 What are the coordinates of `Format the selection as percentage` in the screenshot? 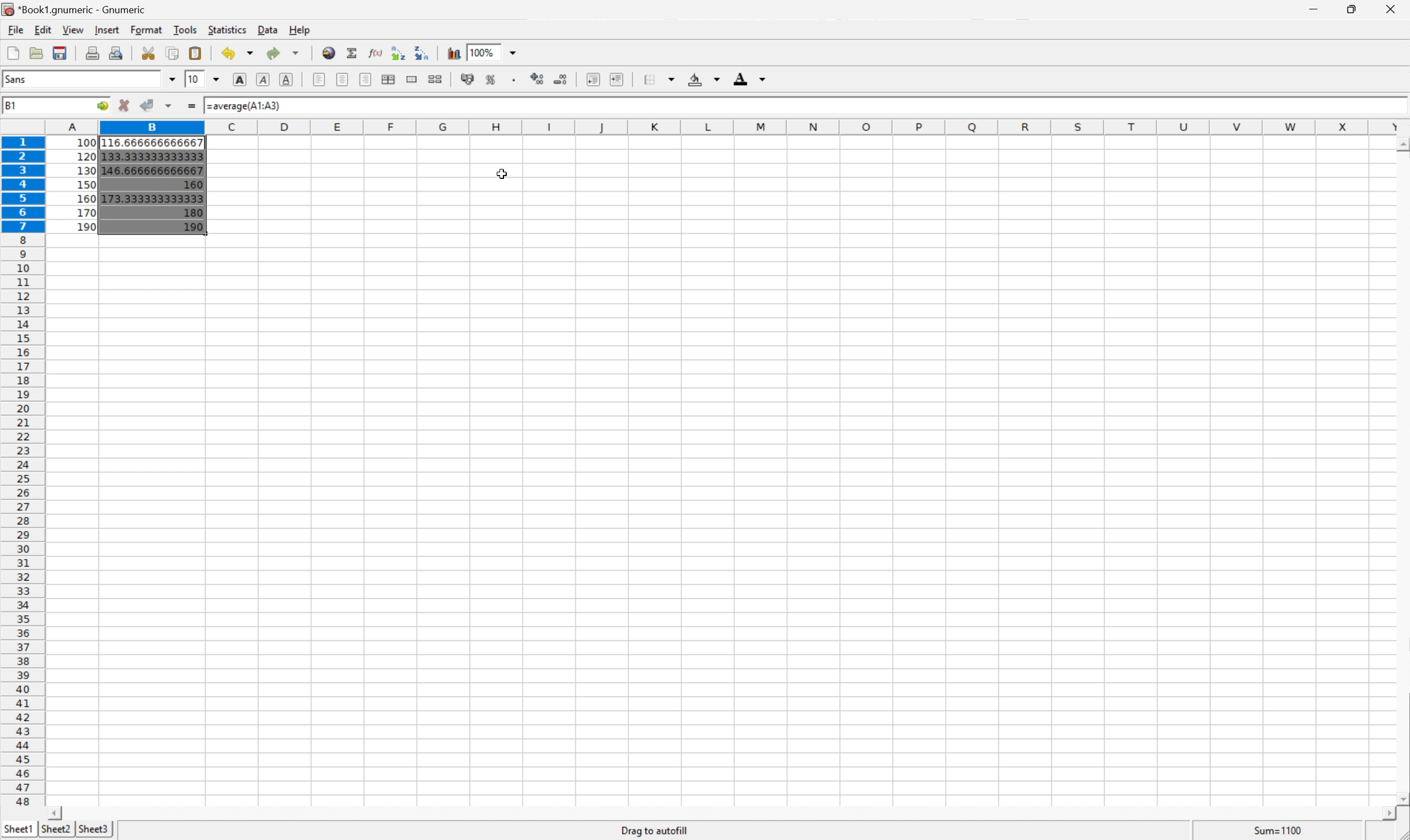 It's located at (493, 79).